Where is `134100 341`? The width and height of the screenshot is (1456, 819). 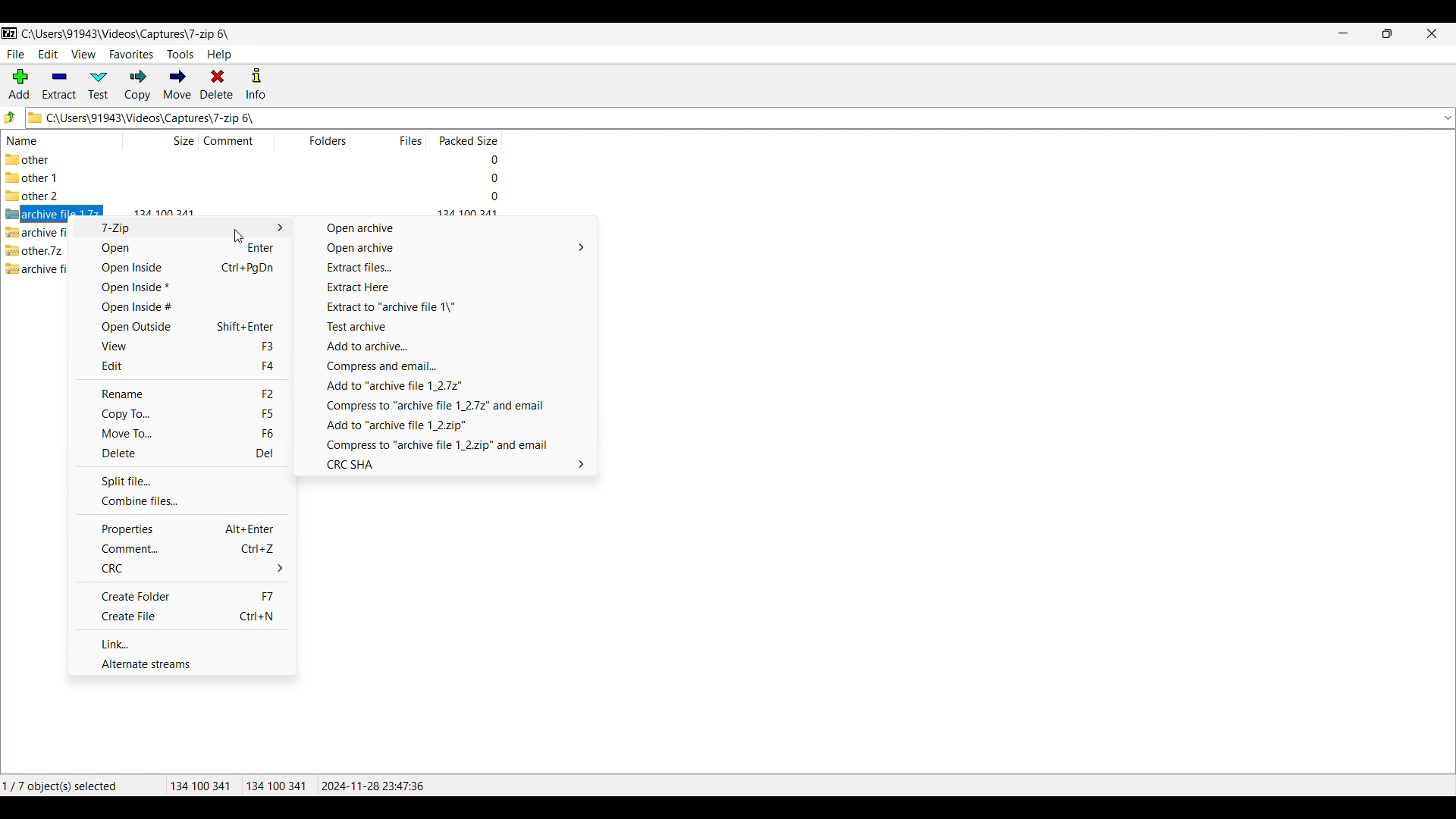
134100 341 is located at coordinates (276, 786).